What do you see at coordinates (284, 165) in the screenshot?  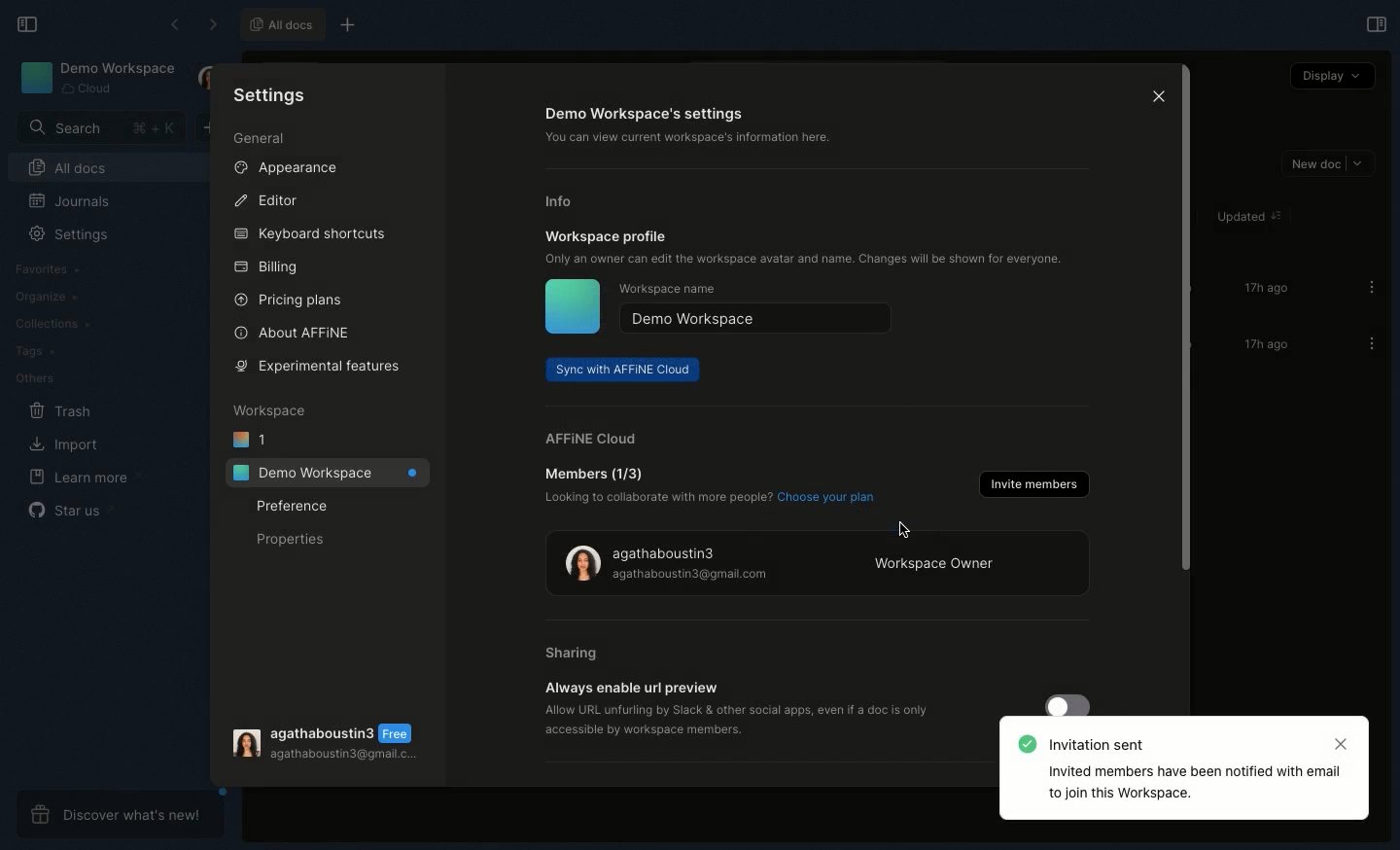 I see `Appearance` at bounding box center [284, 165].